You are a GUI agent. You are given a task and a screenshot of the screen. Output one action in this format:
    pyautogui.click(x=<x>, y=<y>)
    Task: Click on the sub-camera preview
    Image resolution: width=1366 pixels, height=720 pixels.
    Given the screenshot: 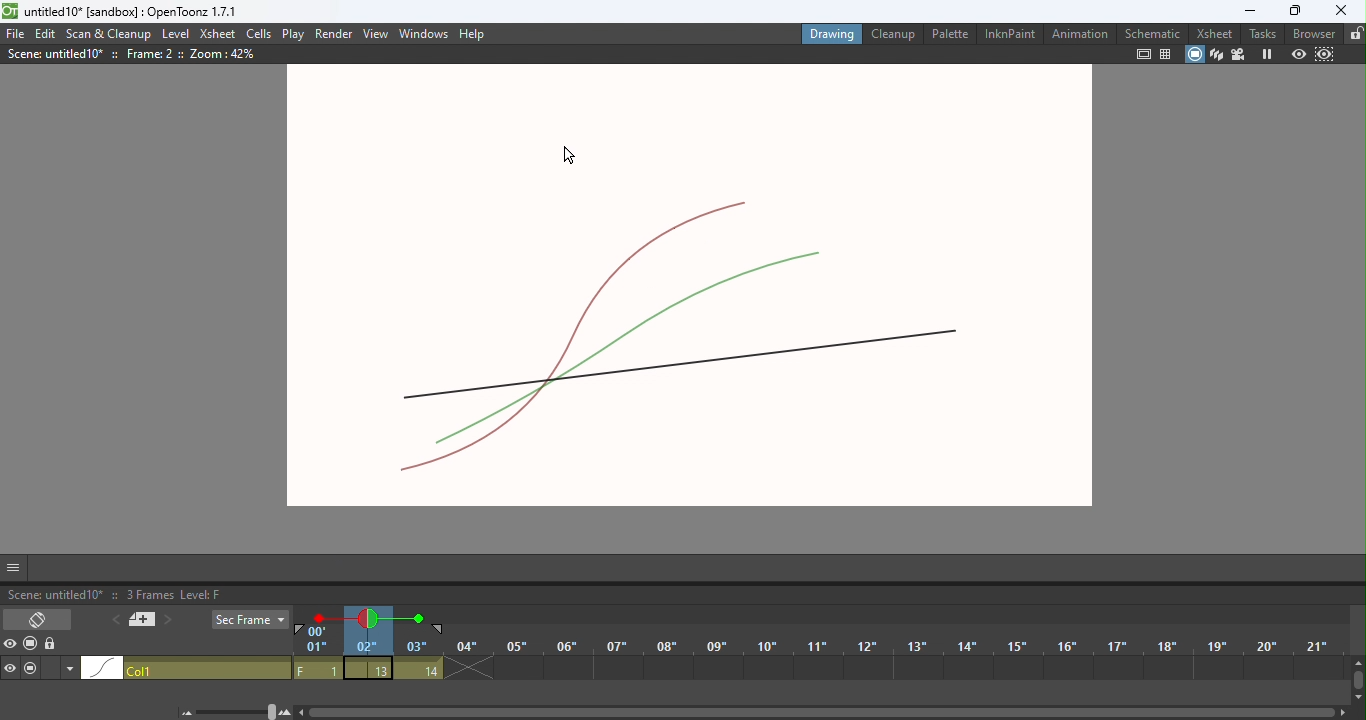 What is the action you would take?
    pyautogui.click(x=1326, y=53)
    